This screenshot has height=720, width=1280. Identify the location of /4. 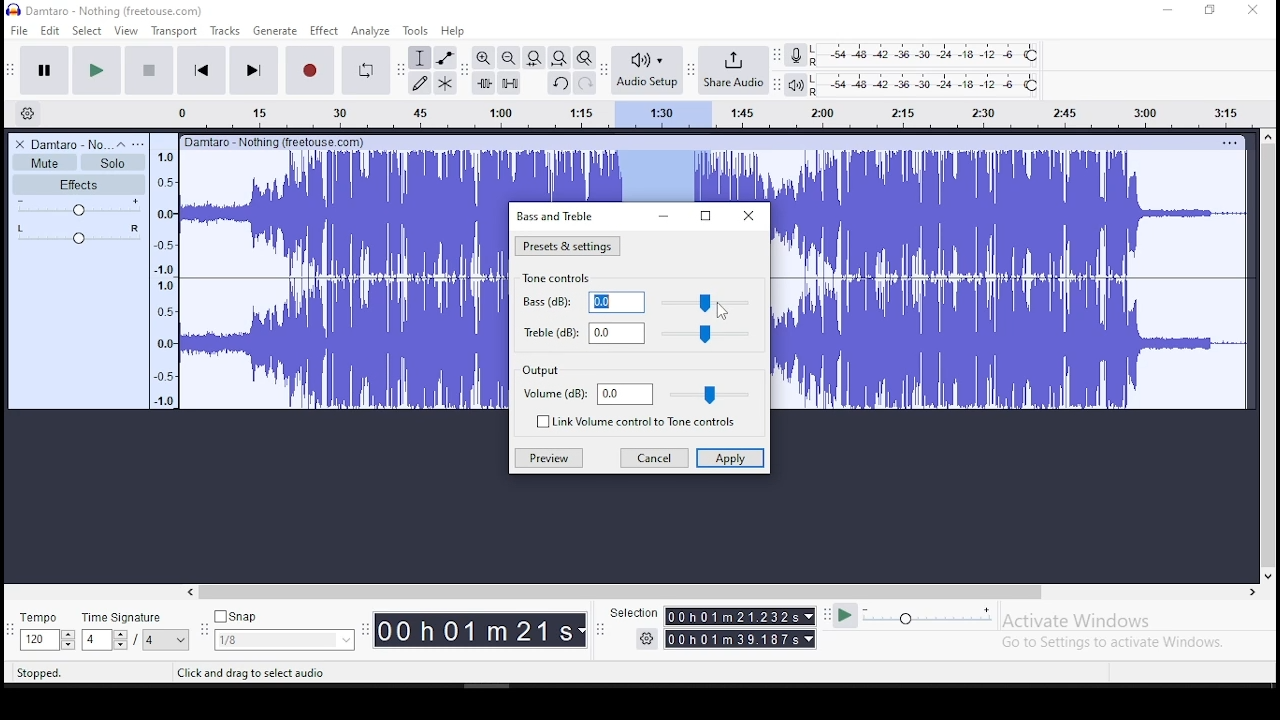
(150, 639).